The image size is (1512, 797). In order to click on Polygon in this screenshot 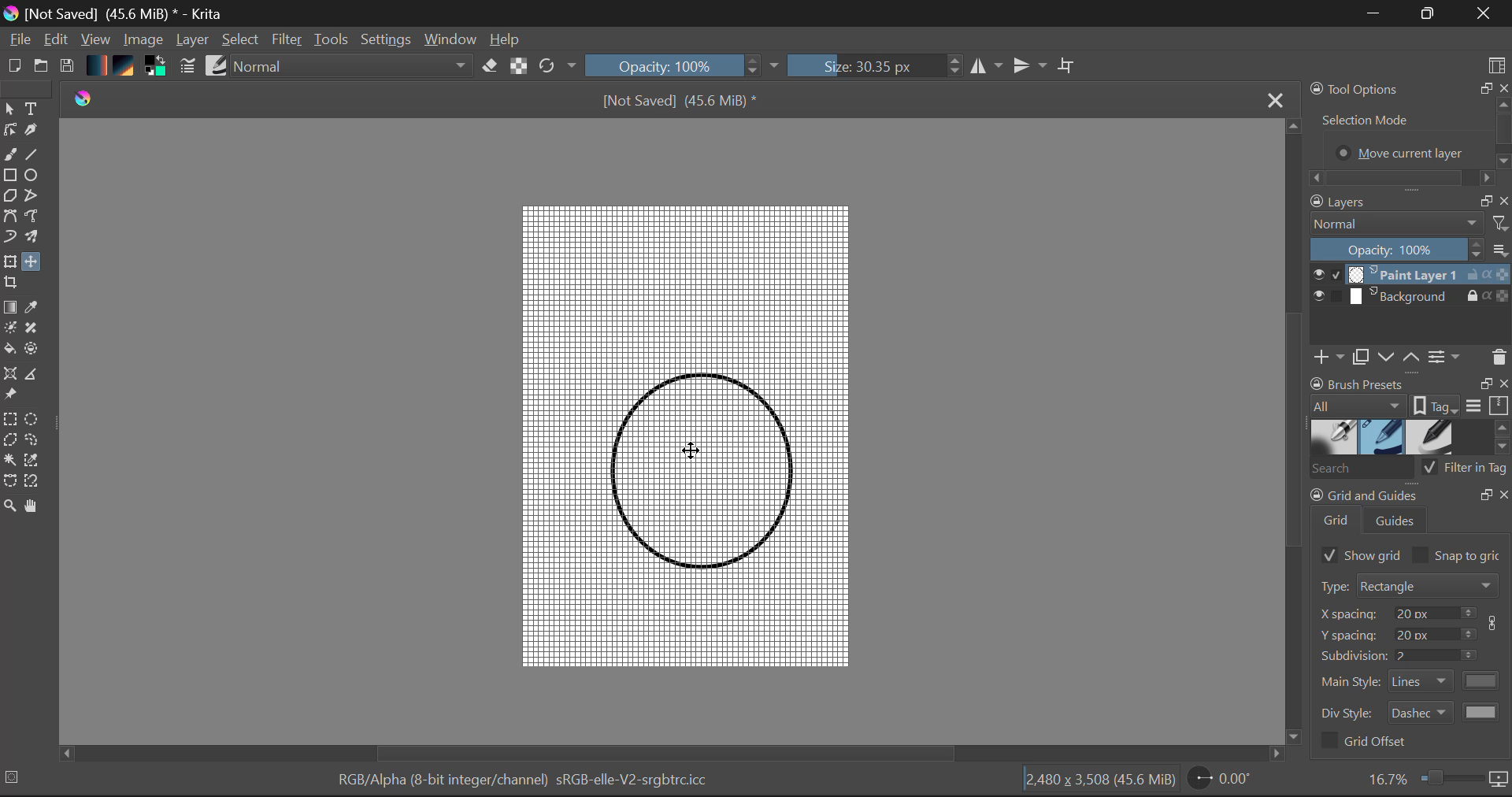, I will do `click(9, 197)`.